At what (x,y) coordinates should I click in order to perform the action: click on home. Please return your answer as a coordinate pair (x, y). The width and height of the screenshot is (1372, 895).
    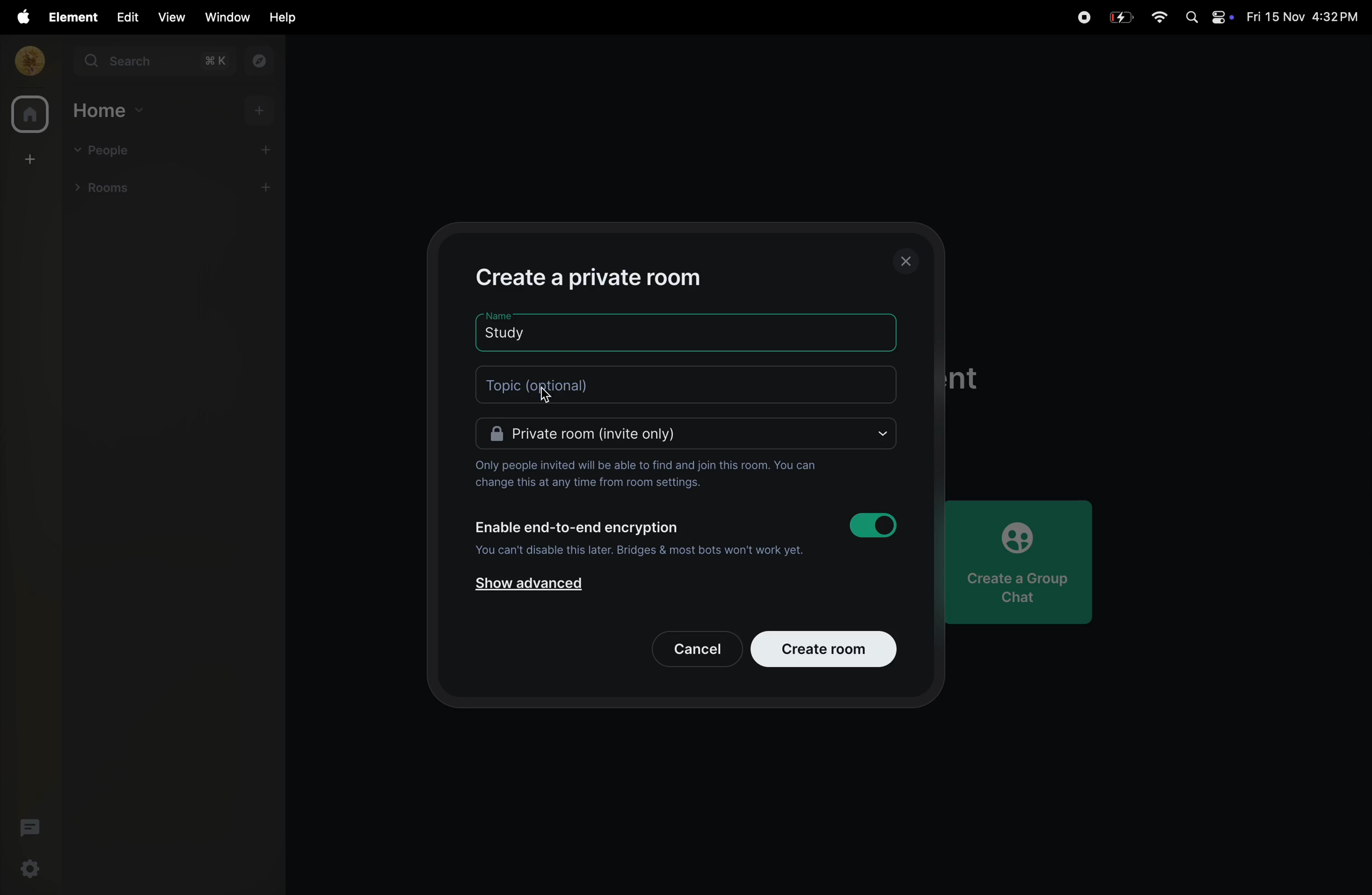
    Looking at the image, I should click on (27, 114).